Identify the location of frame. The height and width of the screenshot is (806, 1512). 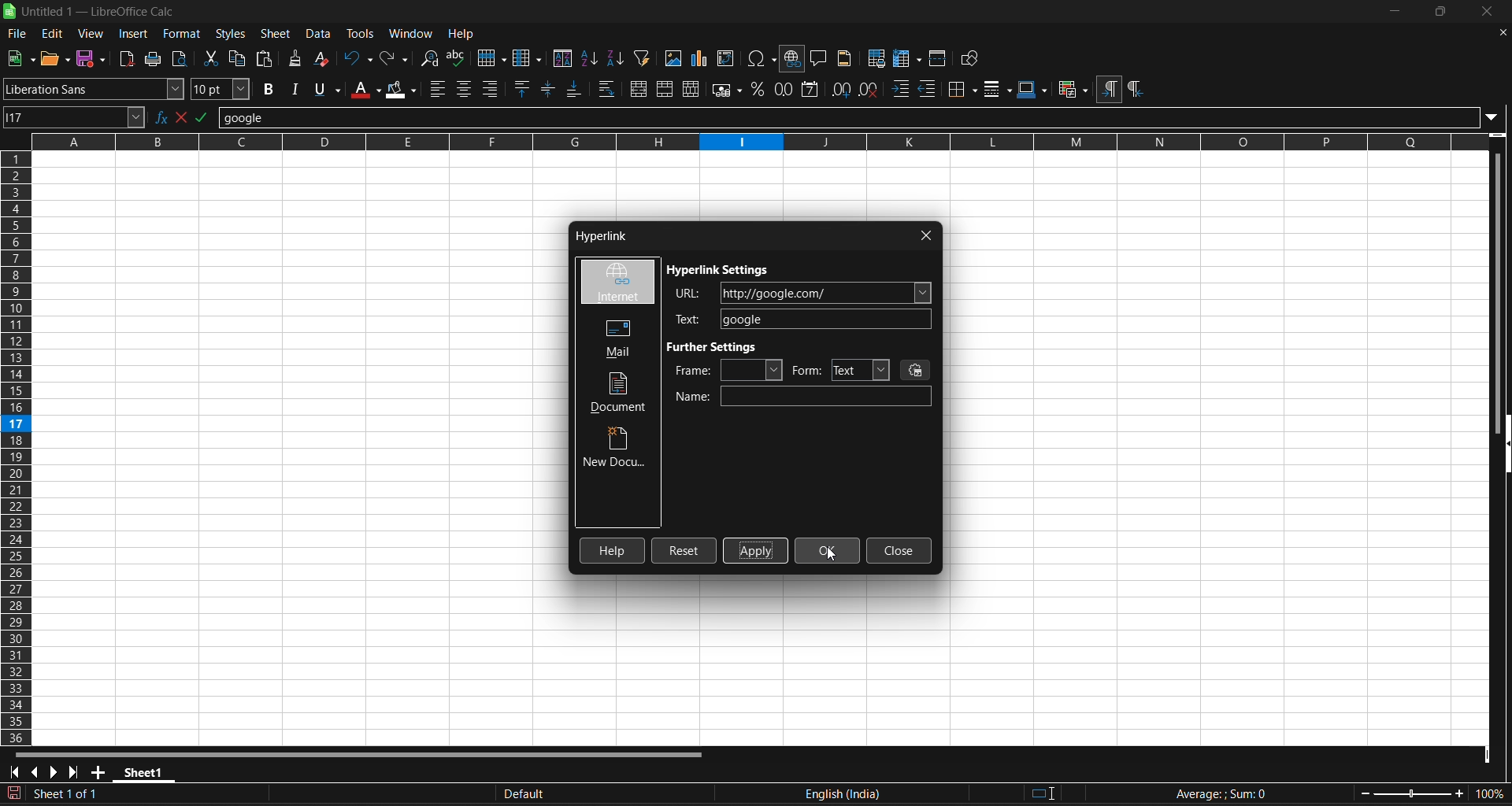
(728, 370).